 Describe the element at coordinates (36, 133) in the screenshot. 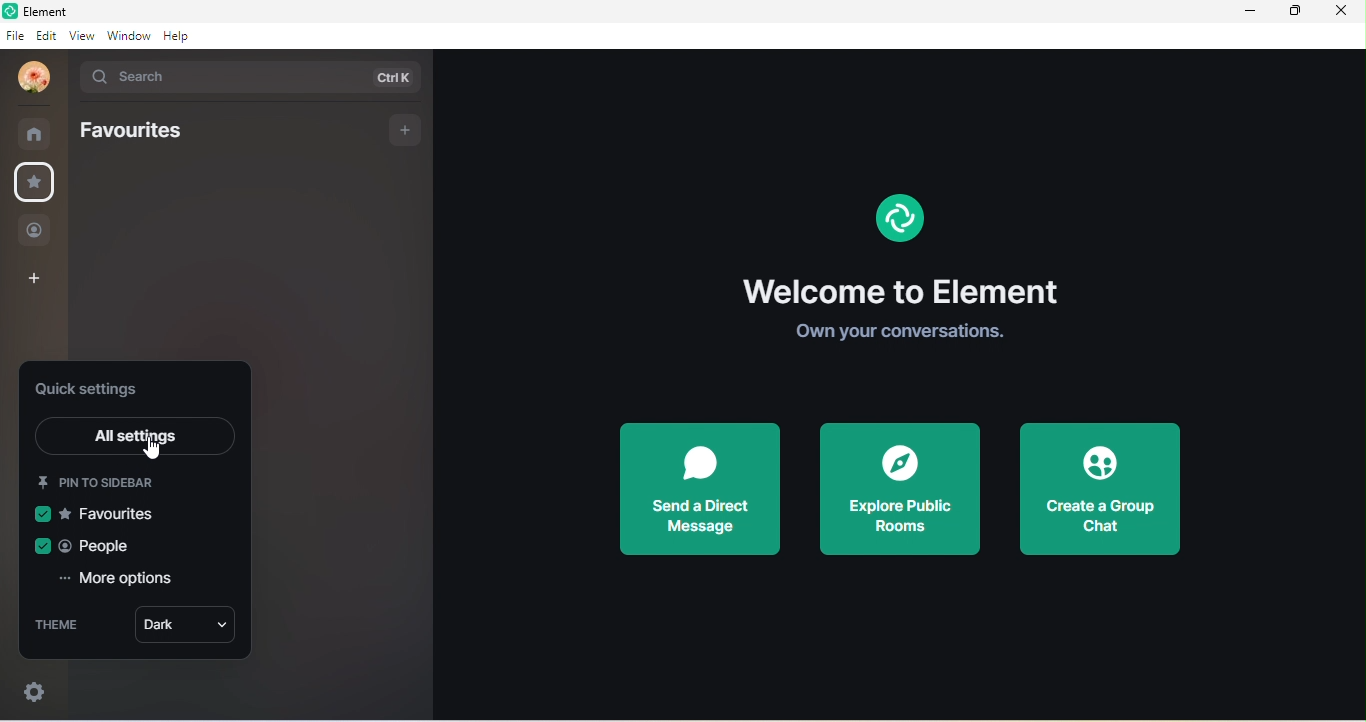

I see `home` at that location.